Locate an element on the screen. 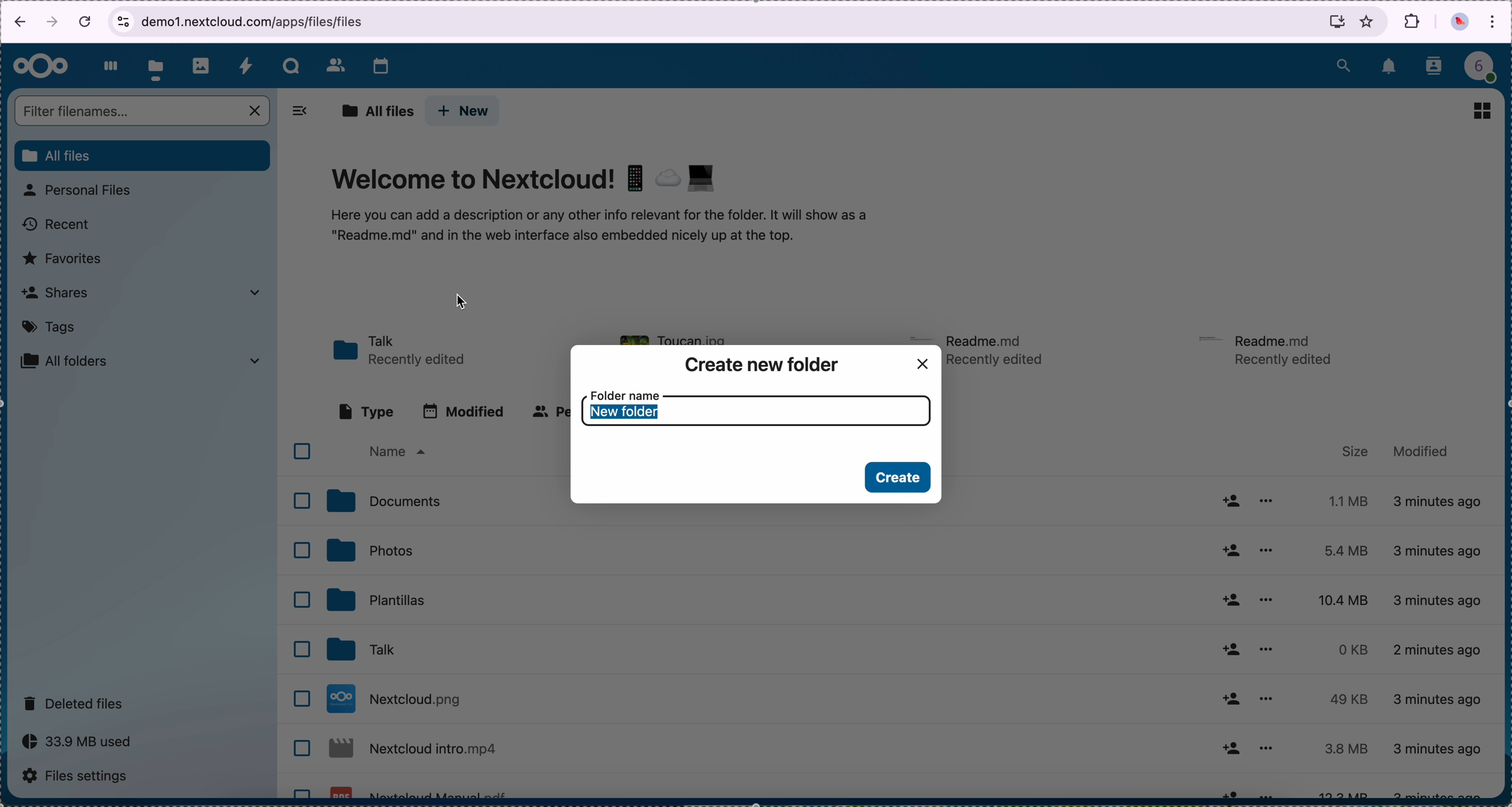 Image resolution: width=1512 pixels, height=807 pixels. Nextcloud file is located at coordinates (415, 752).